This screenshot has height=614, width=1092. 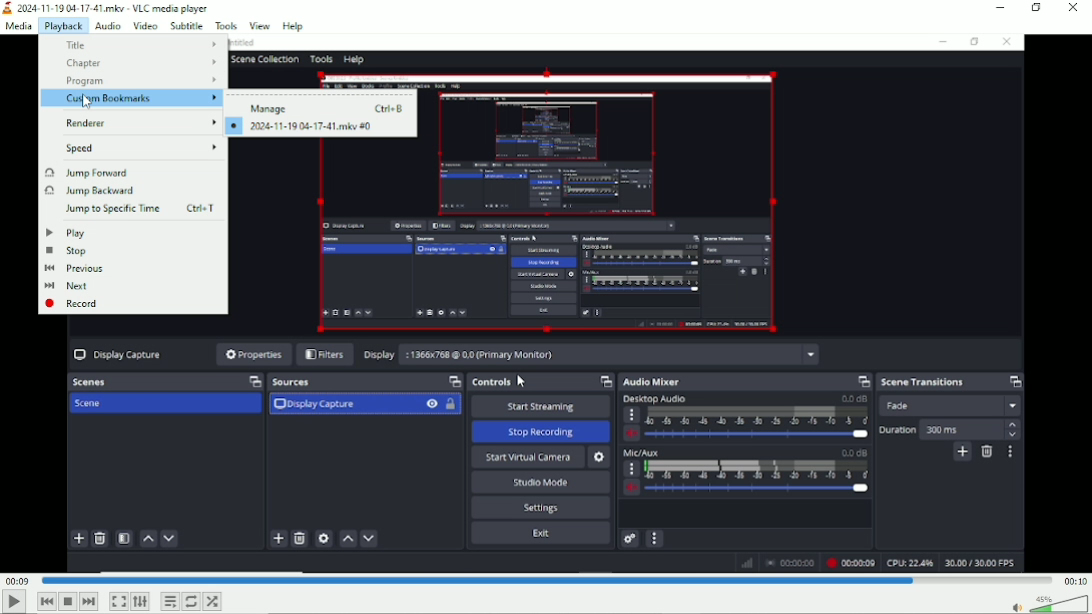 What do you see at coordinates (144, 43) in the screenshot?
I see `Title` at bounding box center [144, 43].